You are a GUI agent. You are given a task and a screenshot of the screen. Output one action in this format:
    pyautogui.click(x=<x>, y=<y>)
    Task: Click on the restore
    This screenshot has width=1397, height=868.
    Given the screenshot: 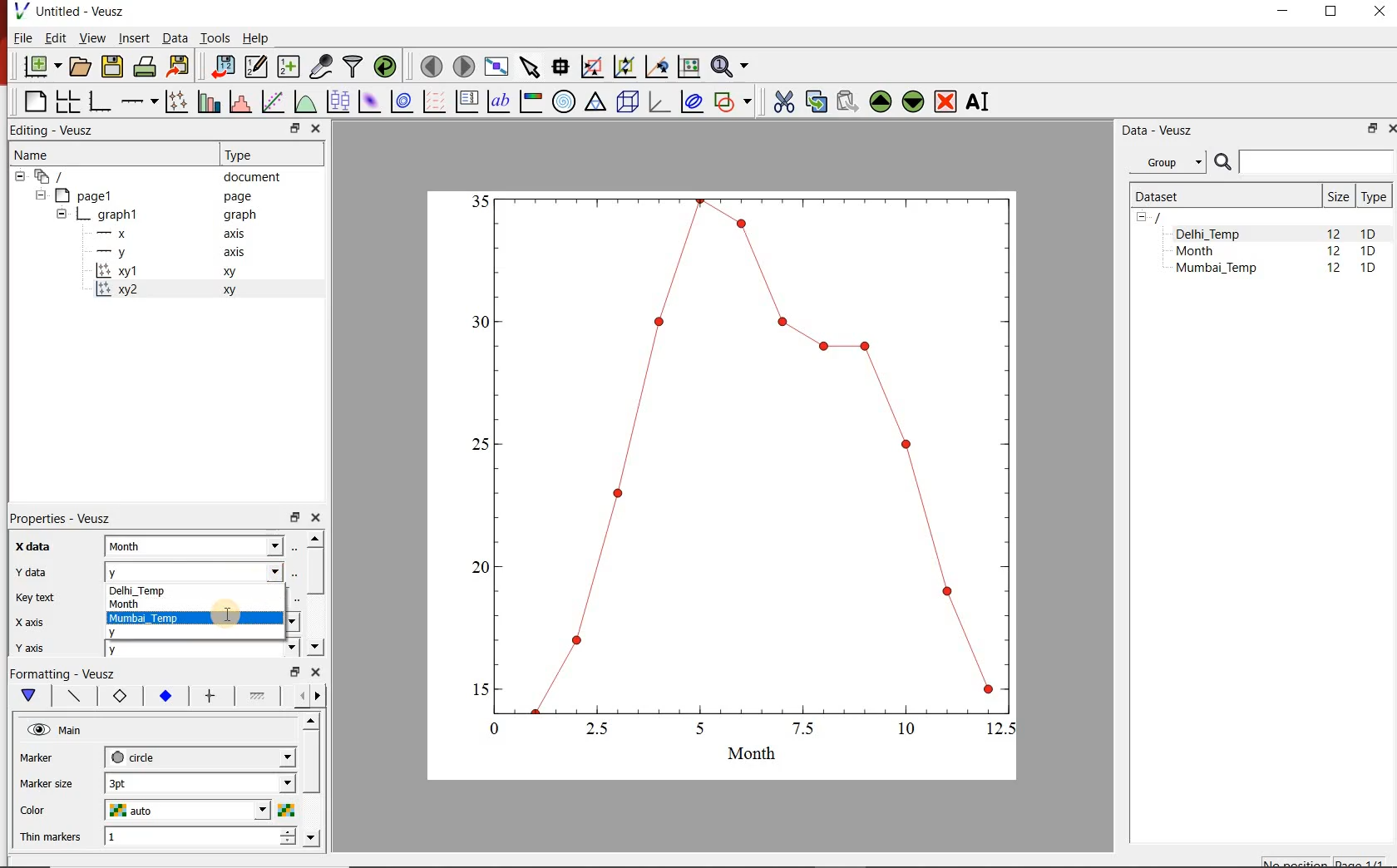 What is the action you would take?
    pyautogui.click(x=294, y=516)
    